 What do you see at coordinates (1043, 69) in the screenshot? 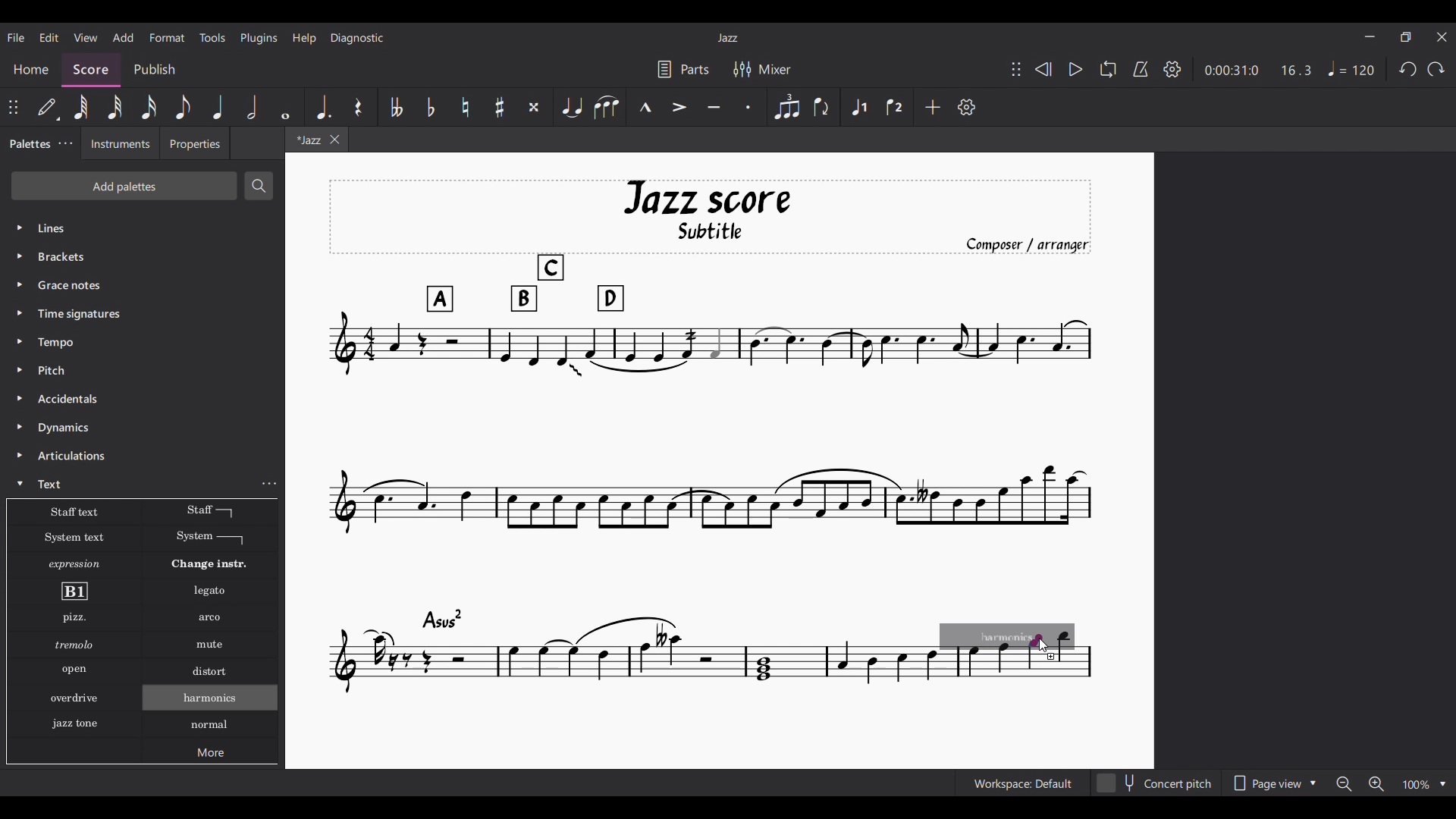
I see `Rewind` at bounding box center [1043, 69].